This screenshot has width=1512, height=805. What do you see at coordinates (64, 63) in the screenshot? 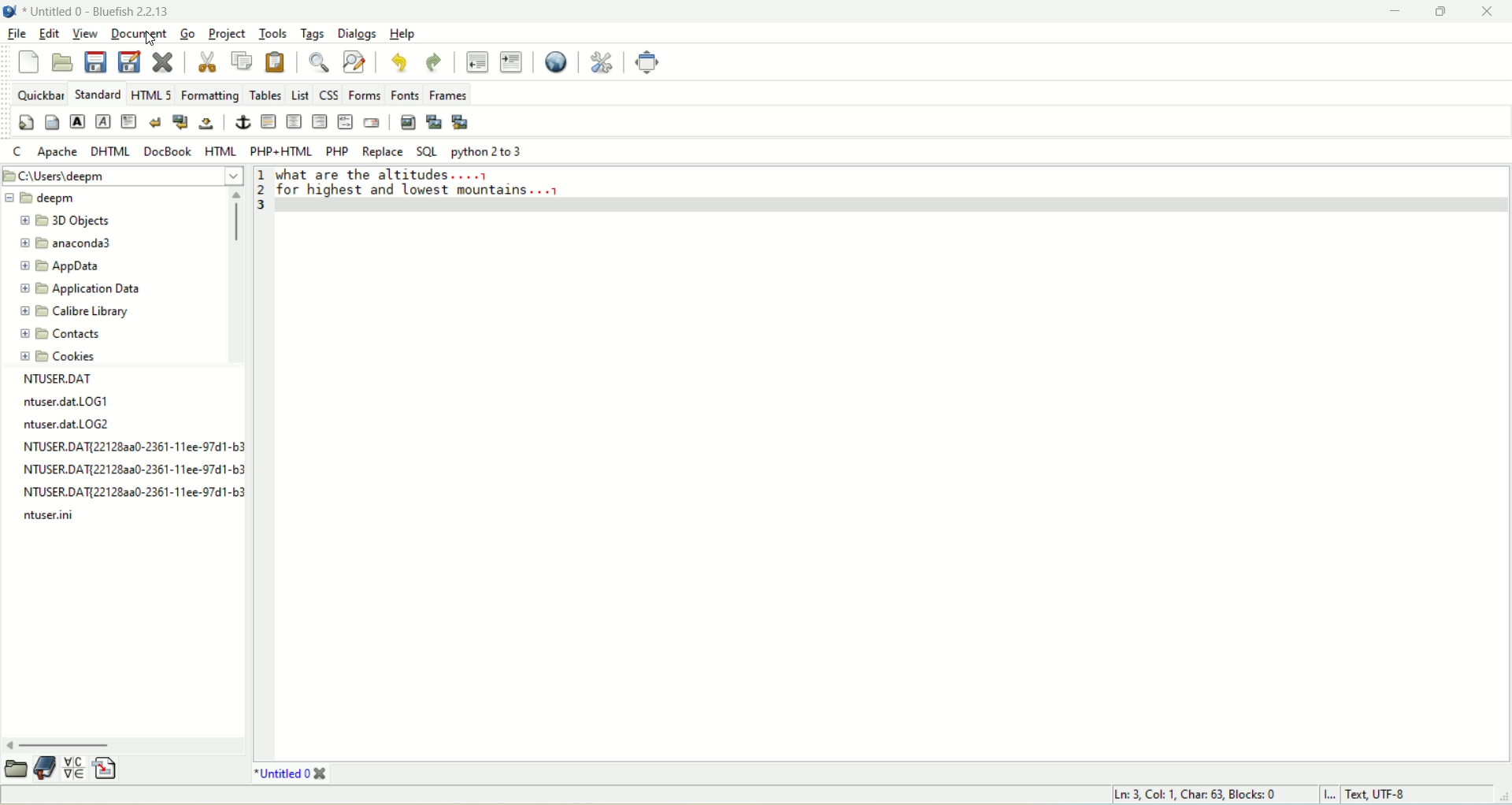
I see `open` at bounding box center [64, 63].